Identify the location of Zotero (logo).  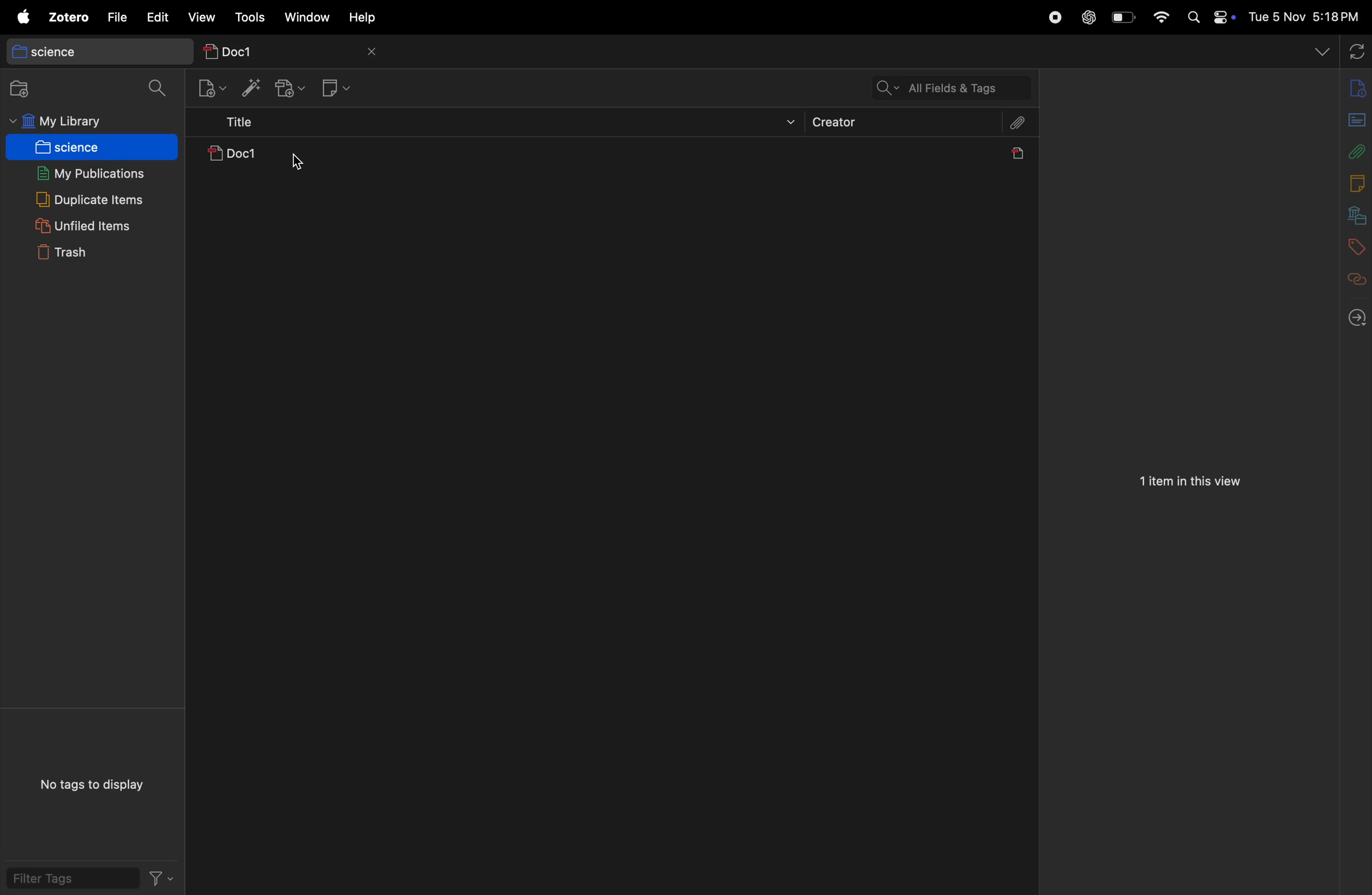
(54, 18).